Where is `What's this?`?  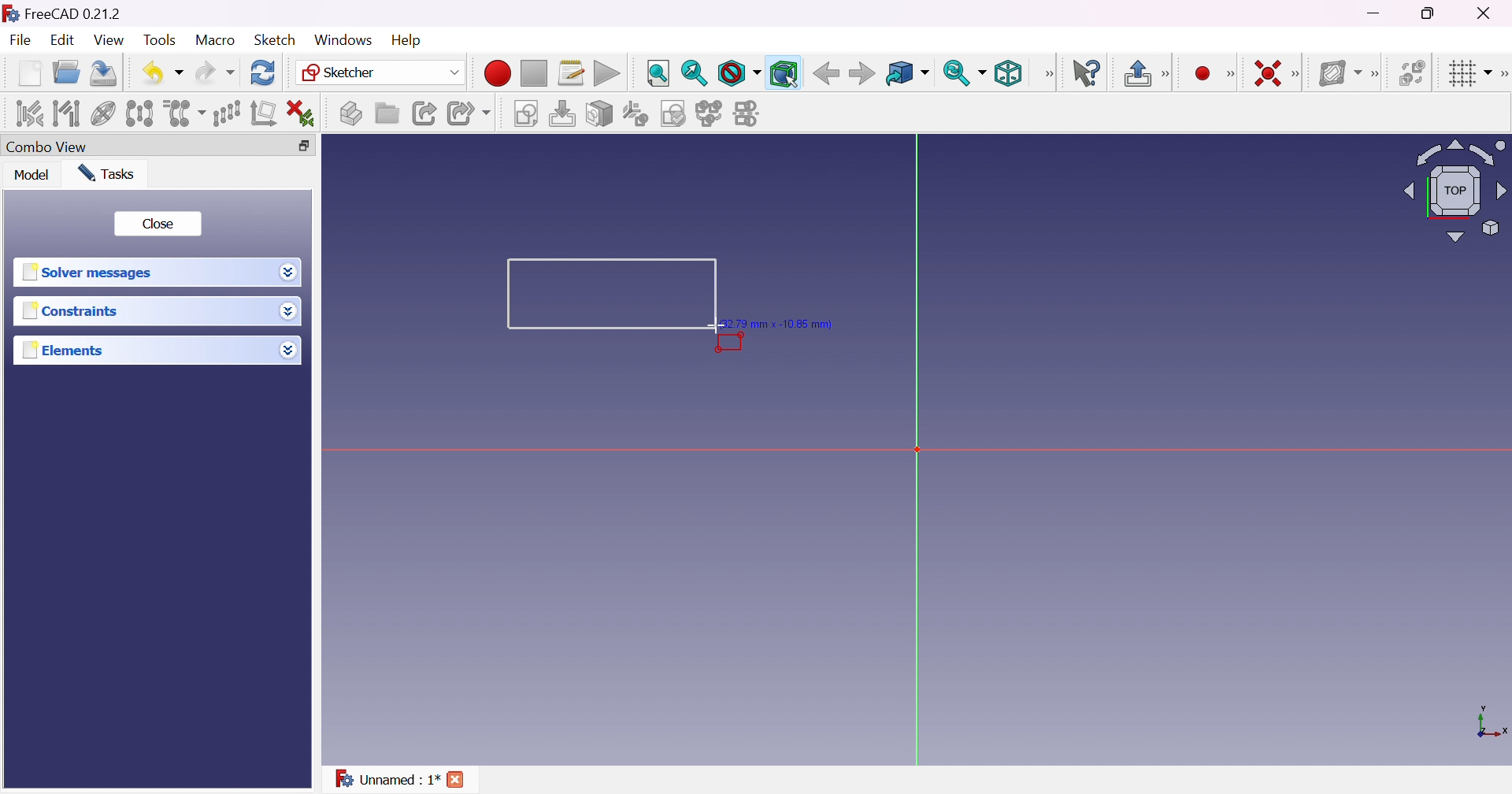 What's this? is located at coordinates (1084, 74).